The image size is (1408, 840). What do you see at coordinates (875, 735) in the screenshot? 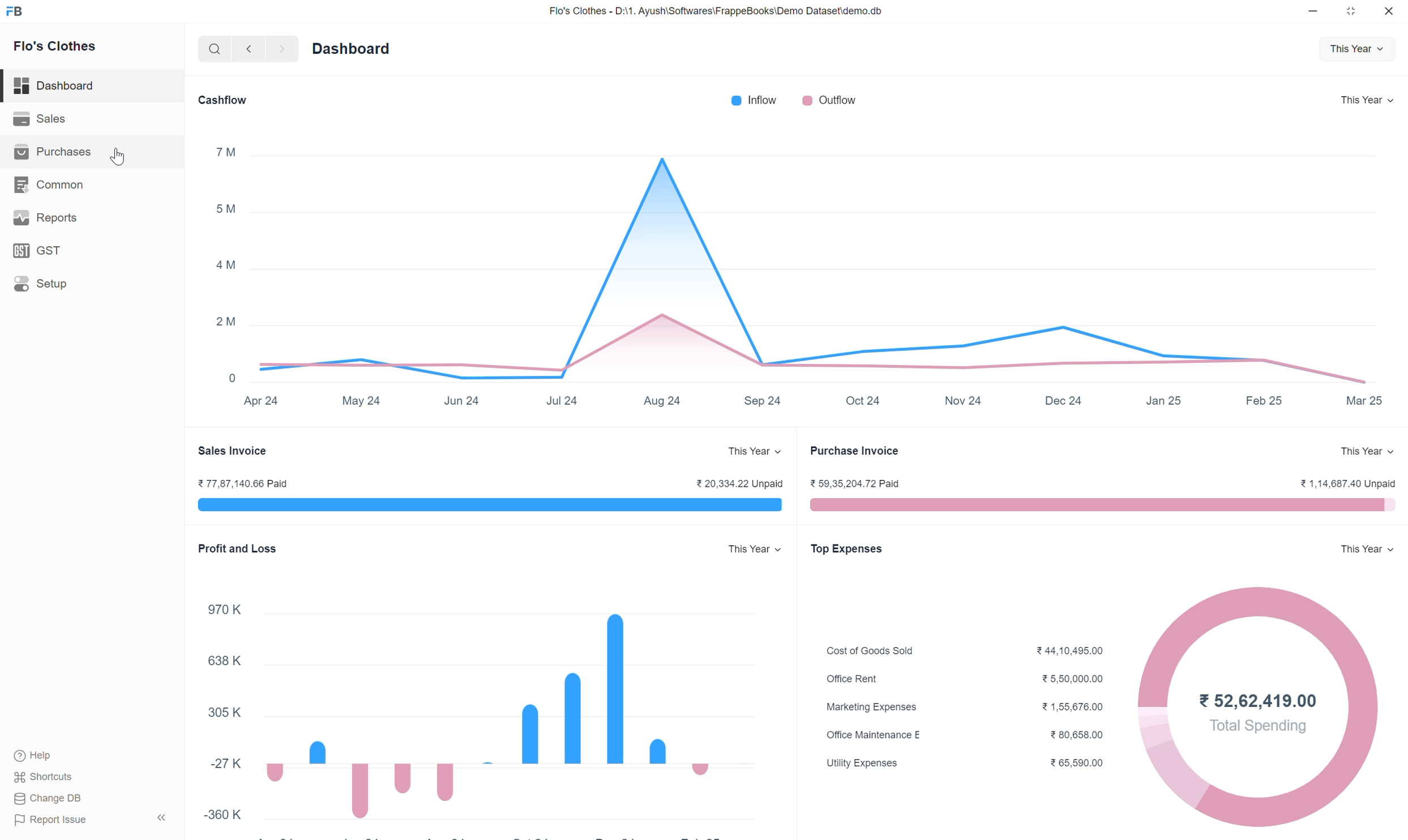
I see `Office Maintenance E` at bounding box center [875, 735].